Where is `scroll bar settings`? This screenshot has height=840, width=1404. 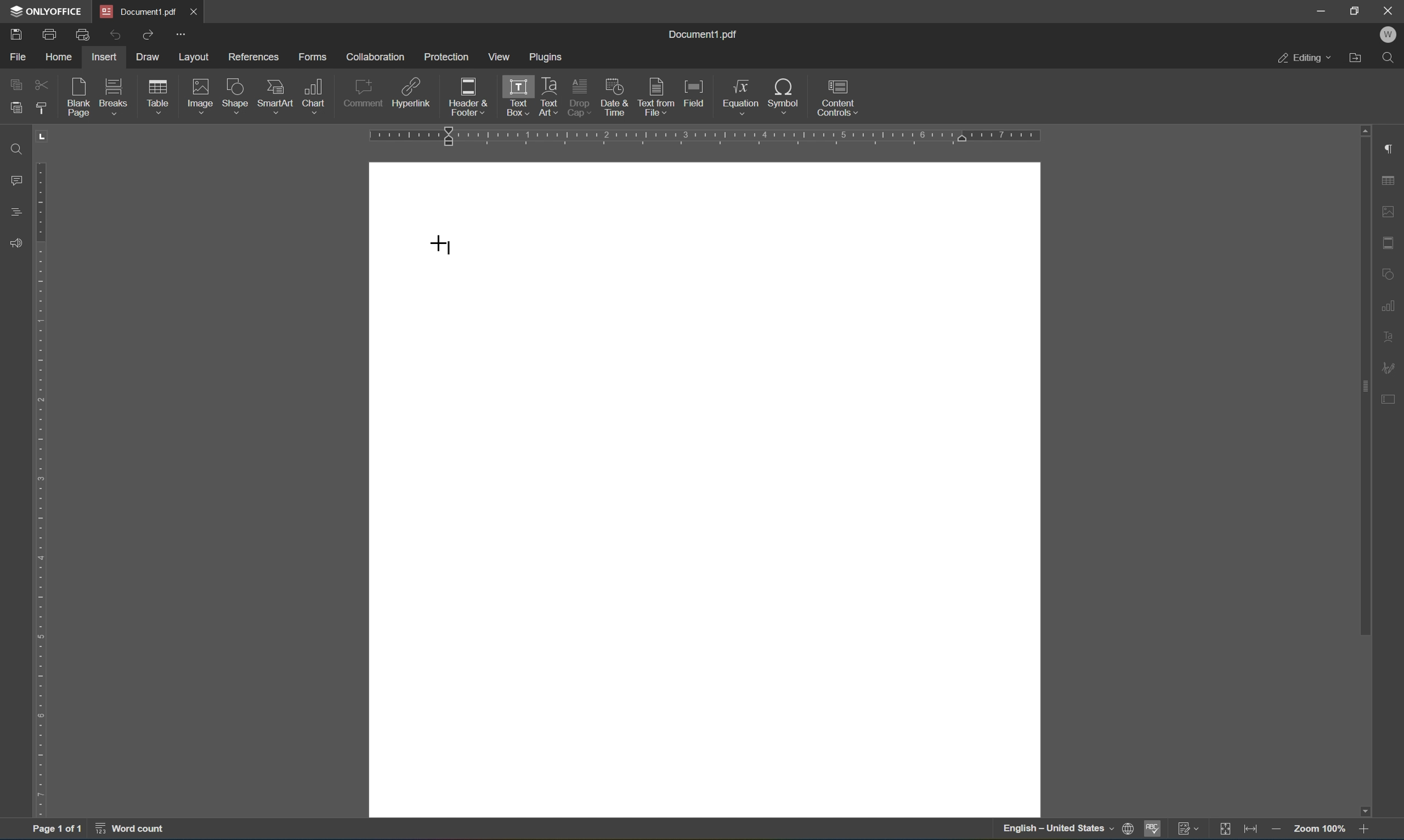 scroll bar settings is located at coordinates (1364, 380).